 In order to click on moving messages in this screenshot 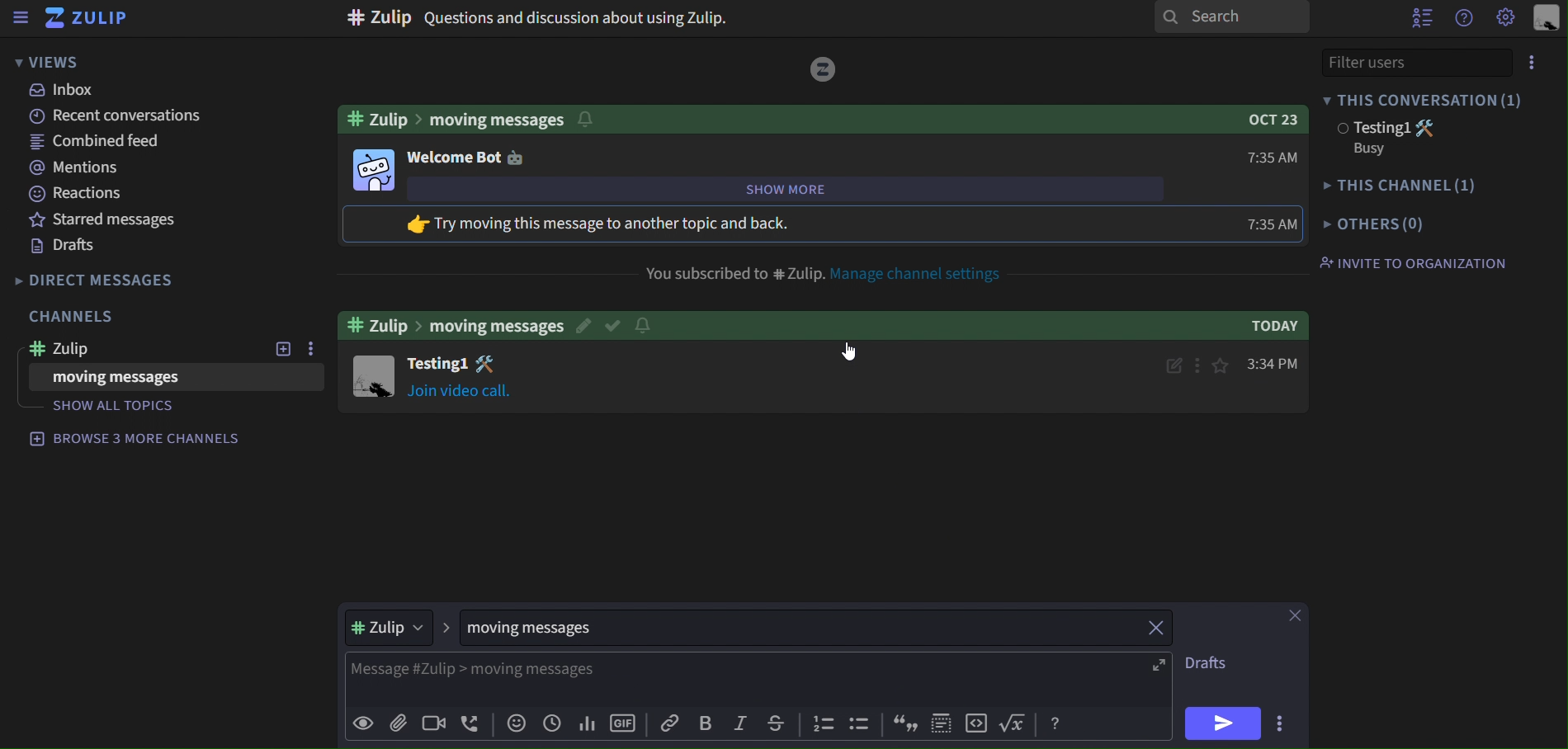, I will do `click(556, 629)`.